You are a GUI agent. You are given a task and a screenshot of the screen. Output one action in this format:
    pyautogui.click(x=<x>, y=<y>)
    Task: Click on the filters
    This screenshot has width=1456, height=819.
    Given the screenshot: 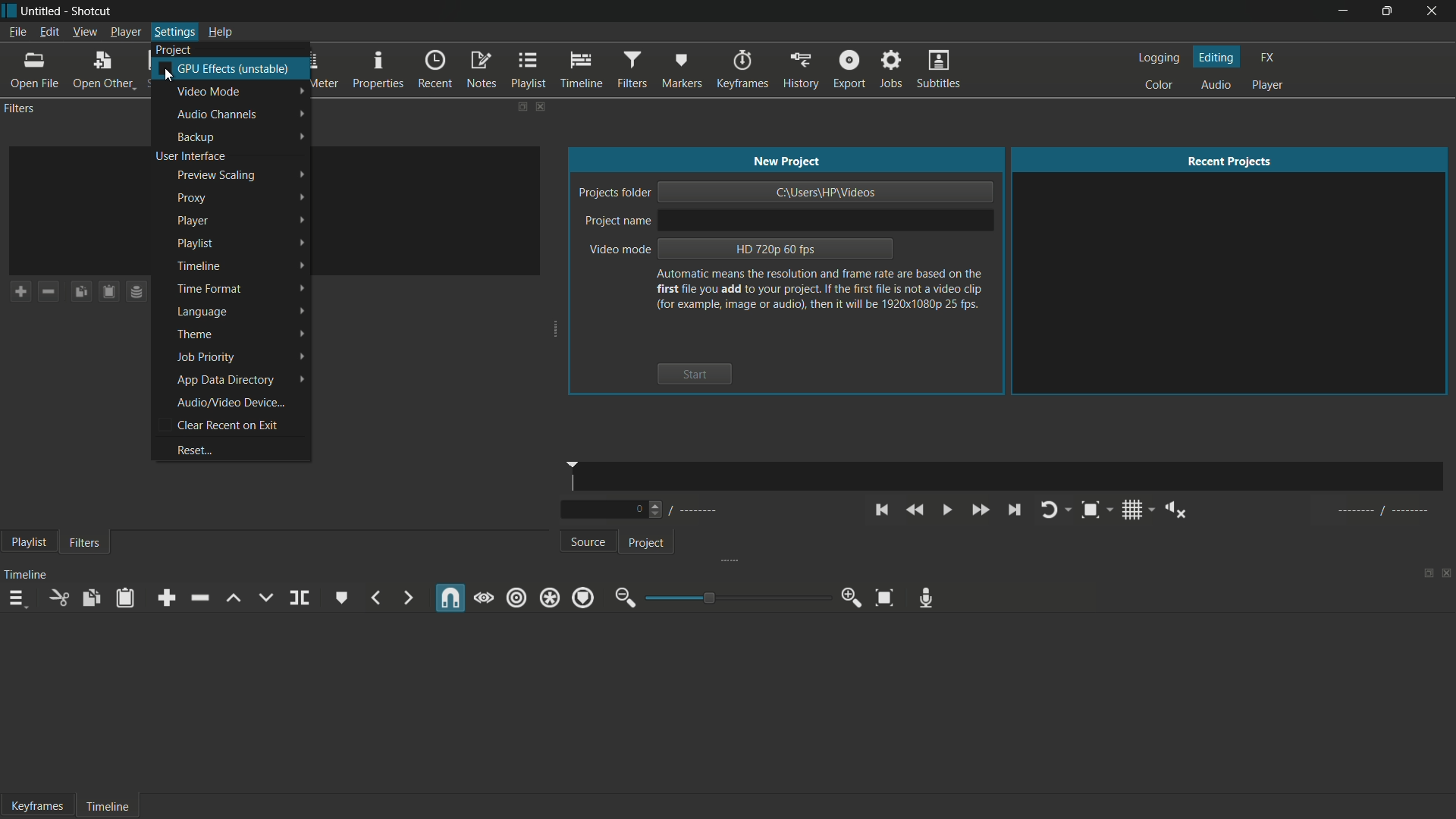 What is the action you would take?
    pyautogui.click(x=84, y=544)
    